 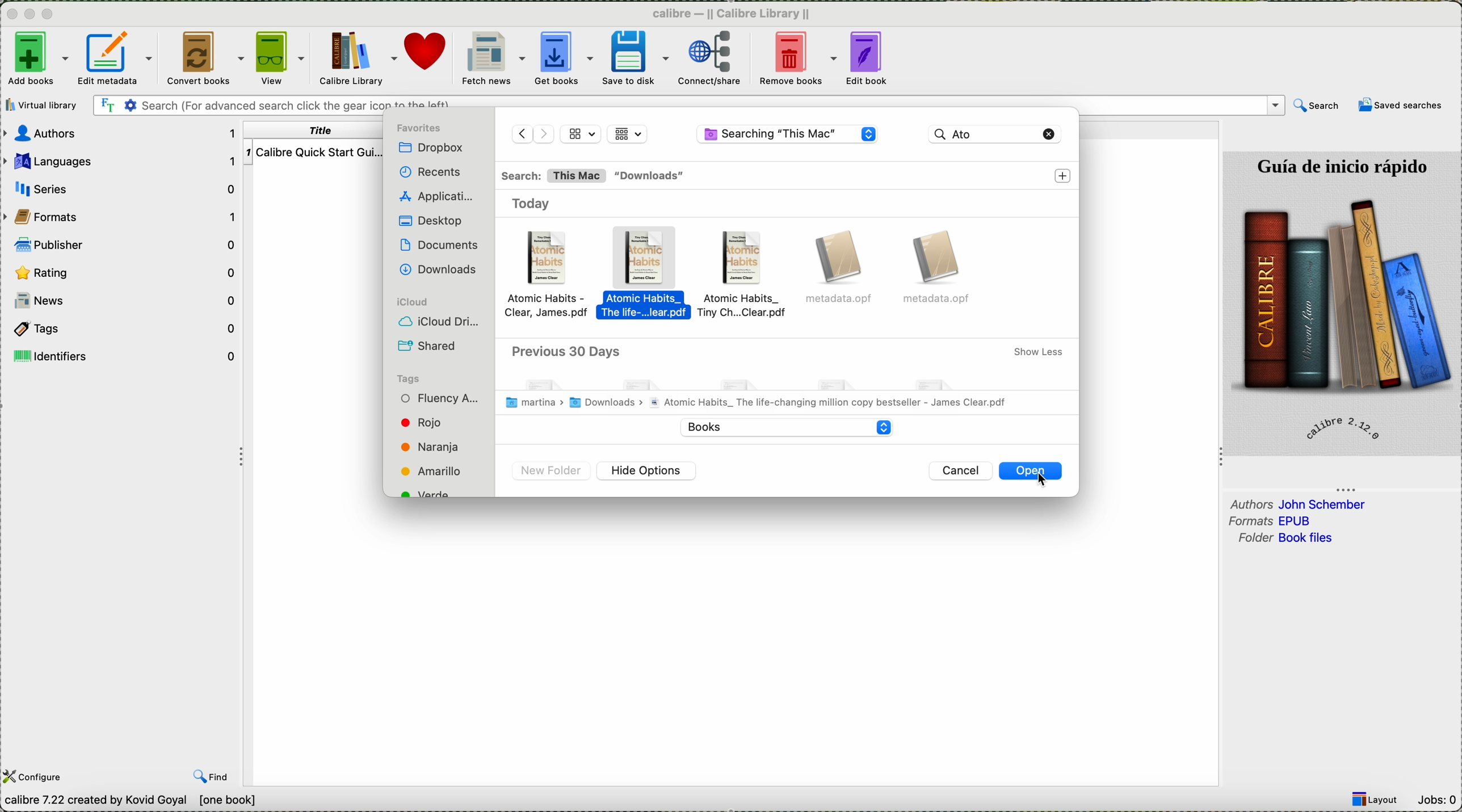 What do you see at coordinates (427, 173) in the screenshot?
I see `recents` at bounding box center [427, 173].